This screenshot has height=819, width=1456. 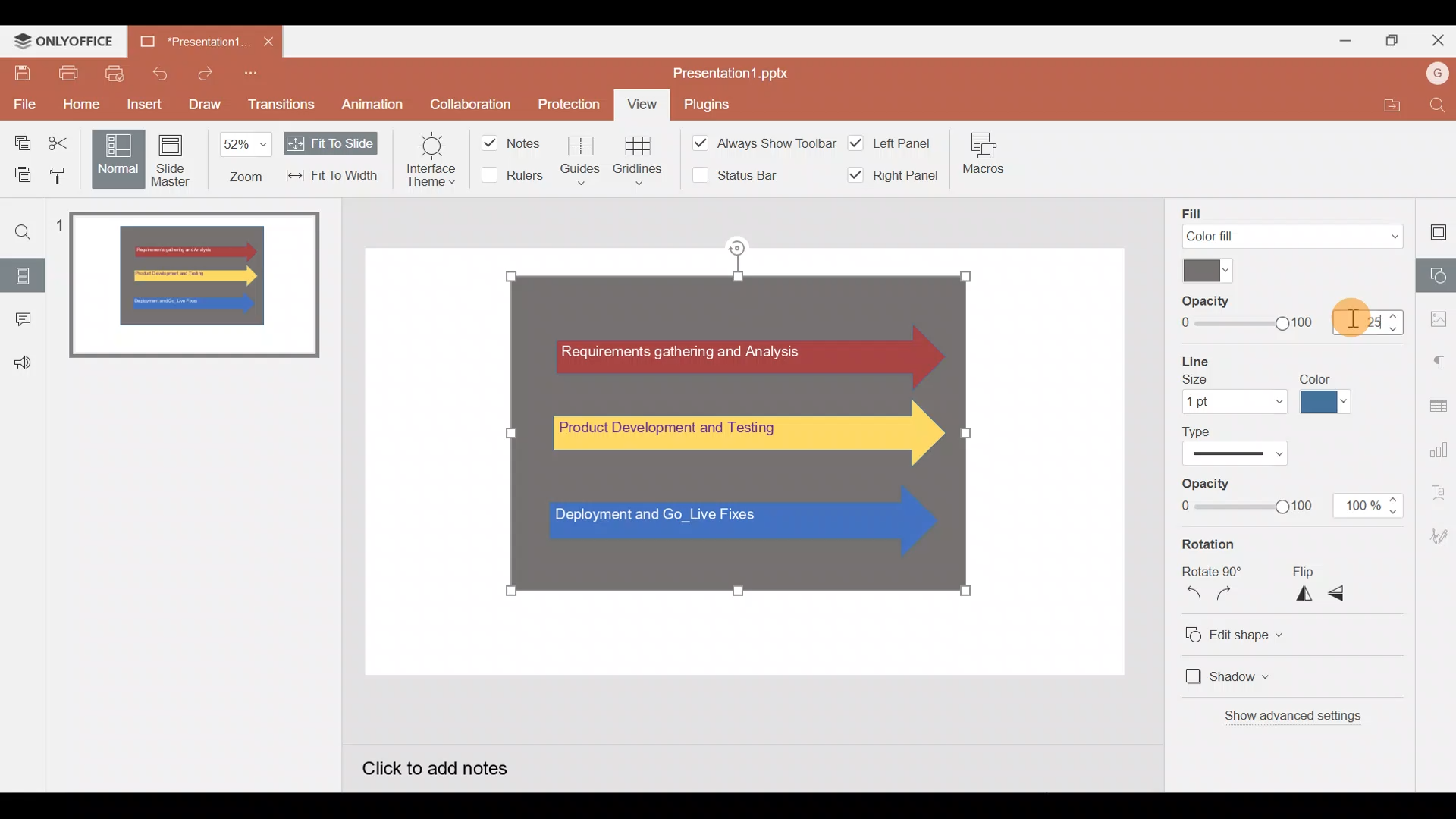 I want to click on Image settings, so click(x=1436, y=315).